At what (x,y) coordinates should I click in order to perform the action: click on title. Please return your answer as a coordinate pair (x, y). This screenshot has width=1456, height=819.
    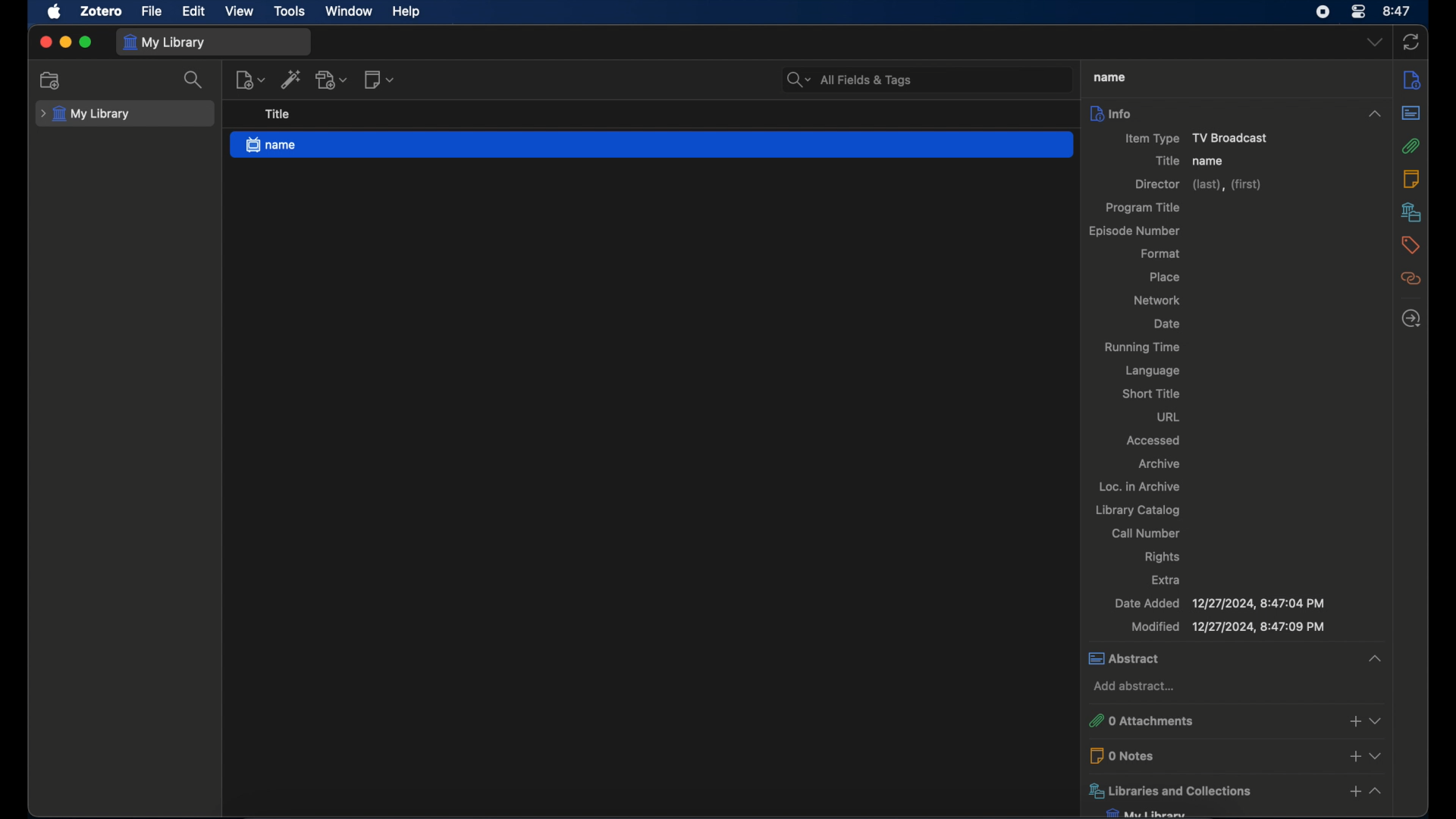
    Looking at the image, I should click on (1164, 160).